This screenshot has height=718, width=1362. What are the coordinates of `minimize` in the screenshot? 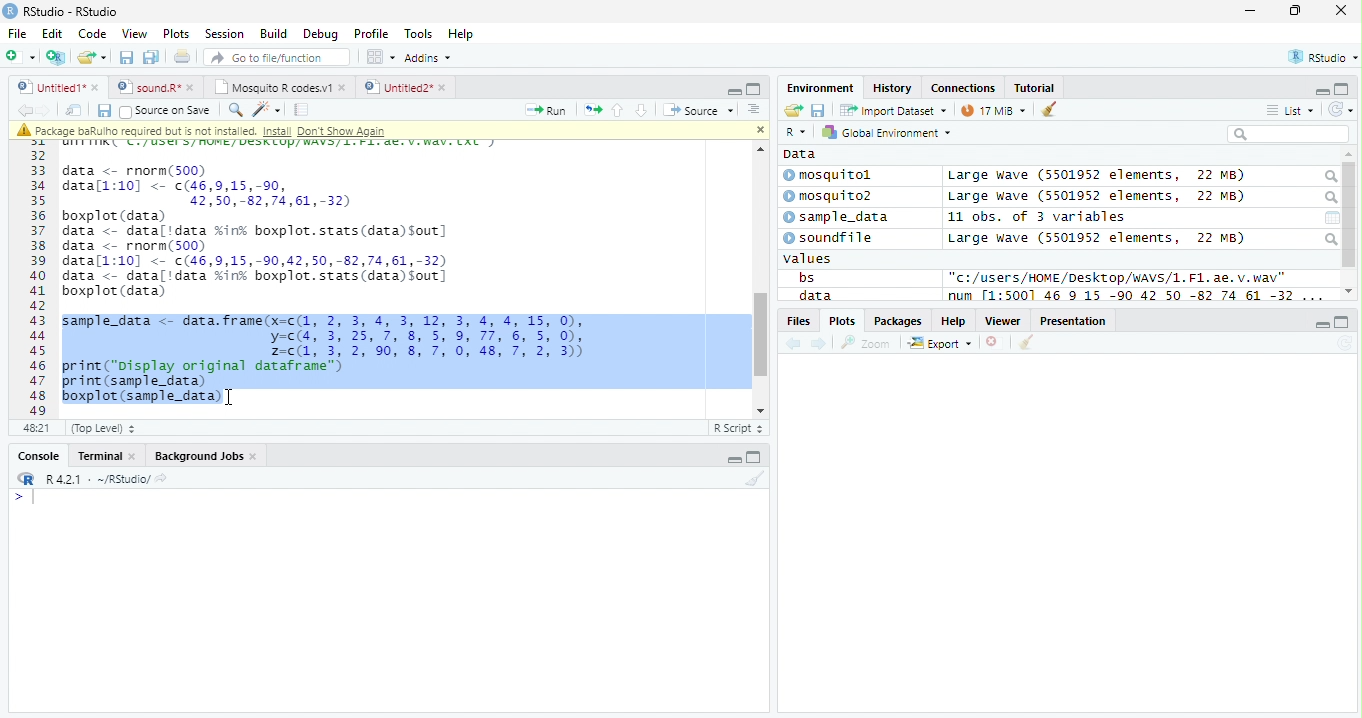 It's located at (732, 456).